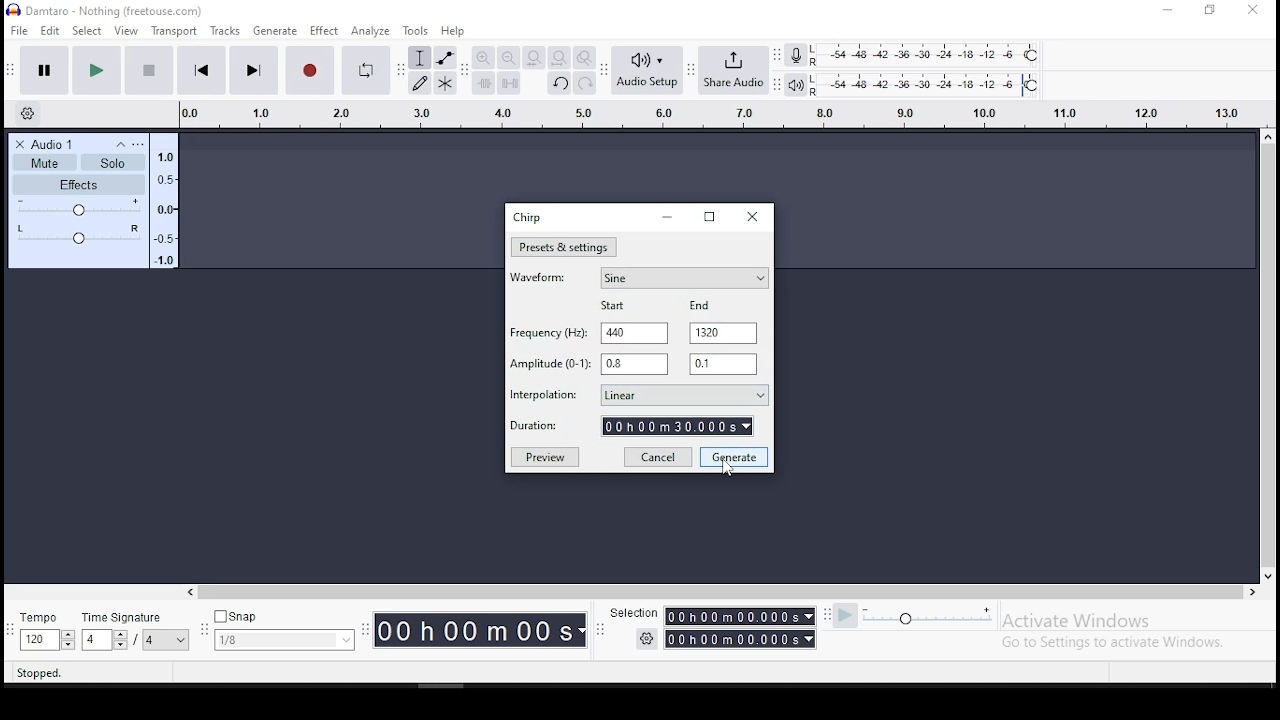 Image resolution: width=1280 pixels, height=720 pixels. I want to click on envelope tool, so click(446, 58).